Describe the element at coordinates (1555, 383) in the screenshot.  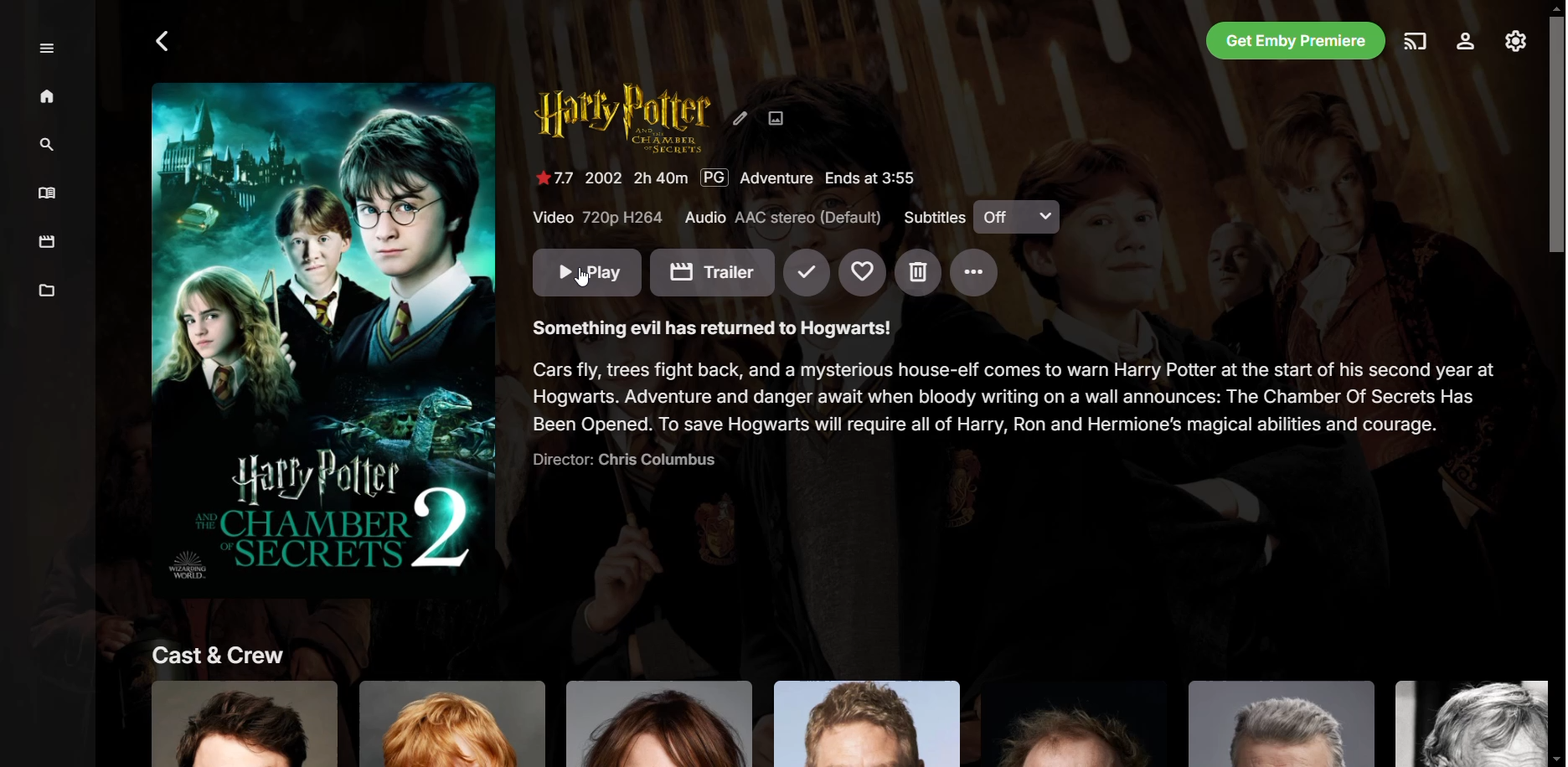
I see `Vertical Scroll Bar` at that location.